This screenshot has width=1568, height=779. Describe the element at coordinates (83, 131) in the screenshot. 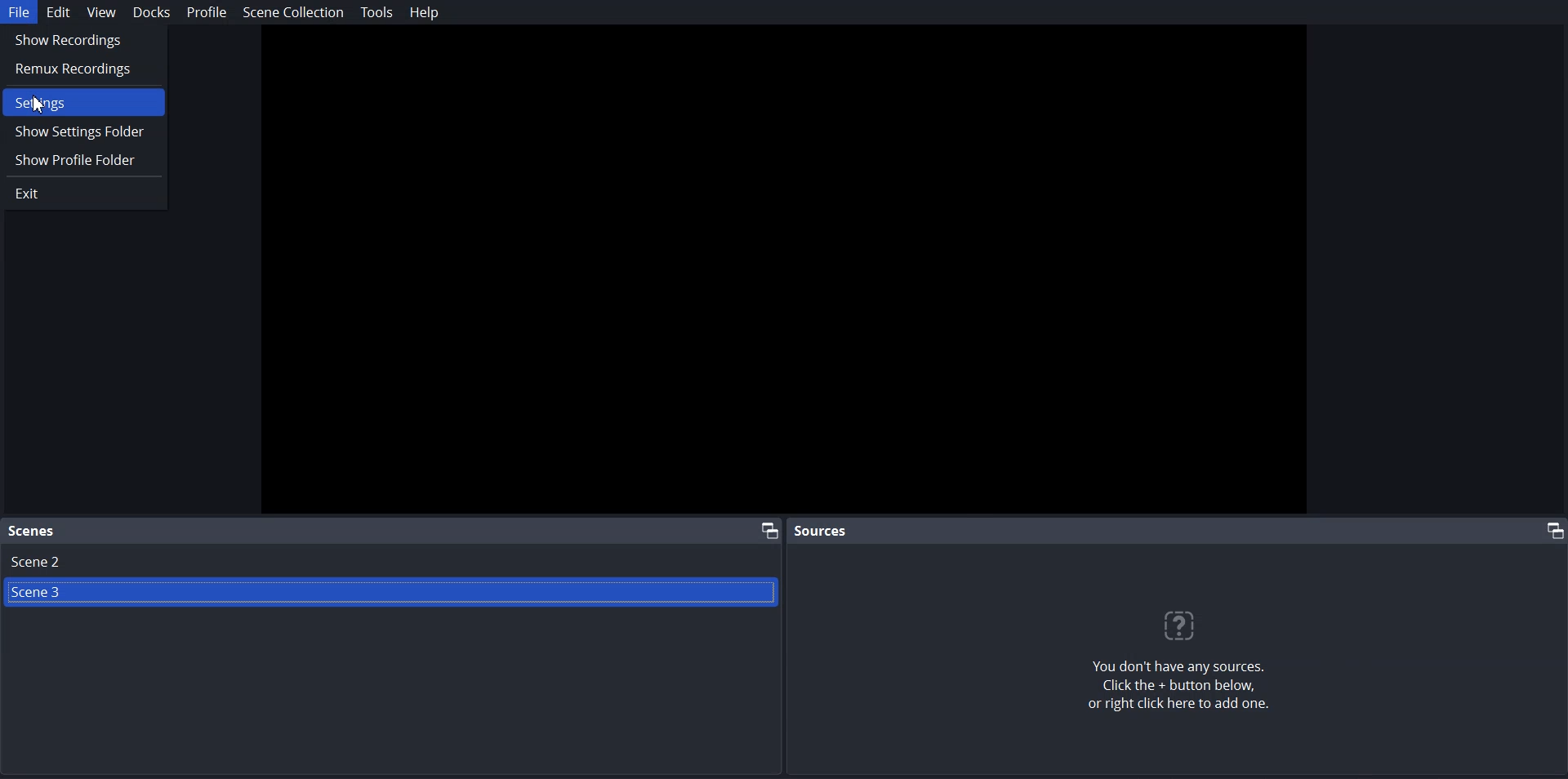

I see `Show Settings Folder` at that location.